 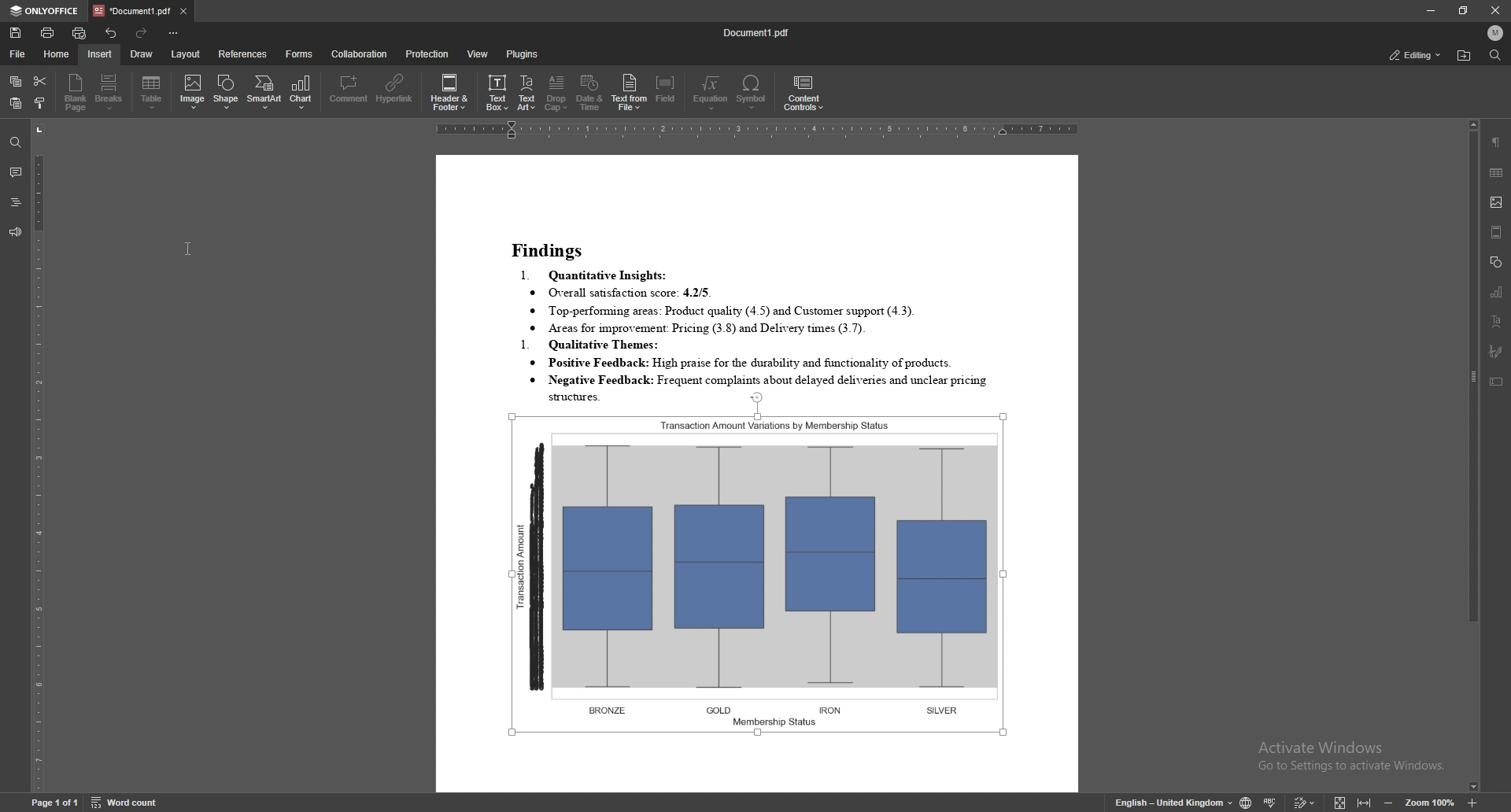 What do you see at coordinates (110, 91) in the screenshot?
I see `breaks` at bounding box center [110, 91].